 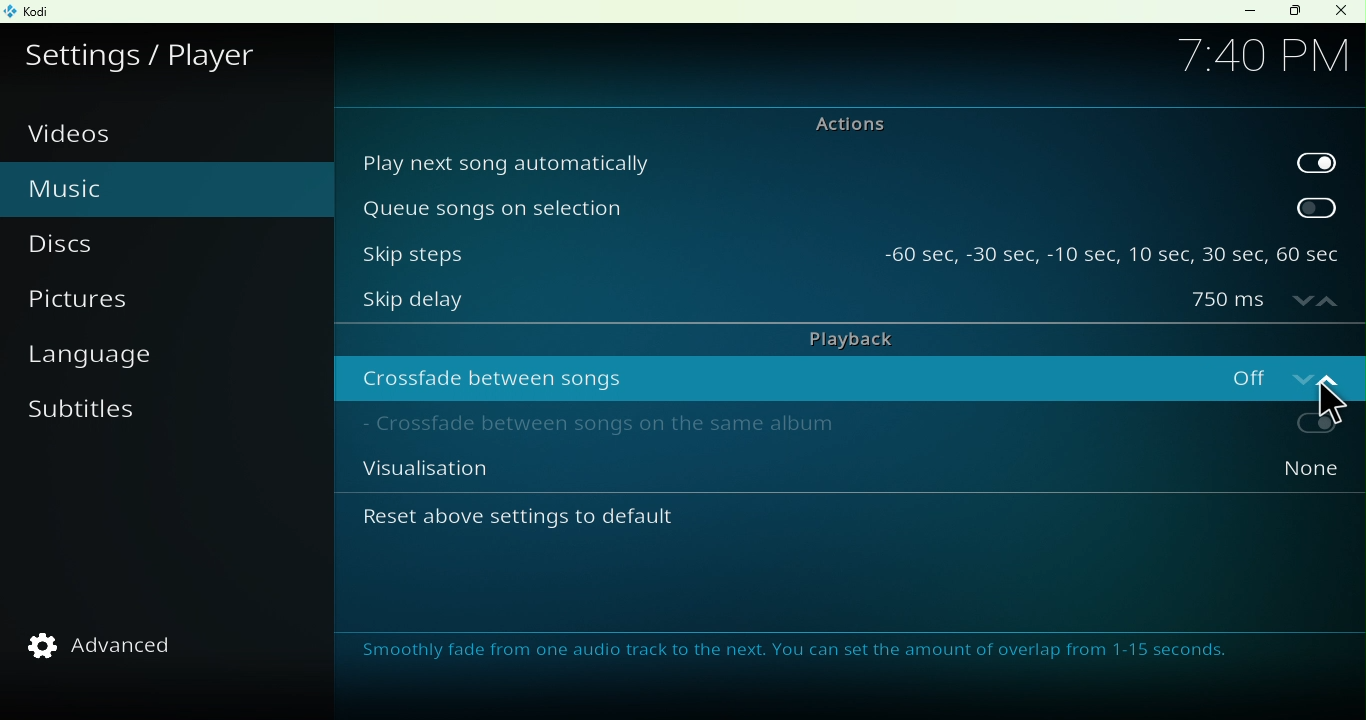 I want to click on toggle, so click(x=1316, y=160).